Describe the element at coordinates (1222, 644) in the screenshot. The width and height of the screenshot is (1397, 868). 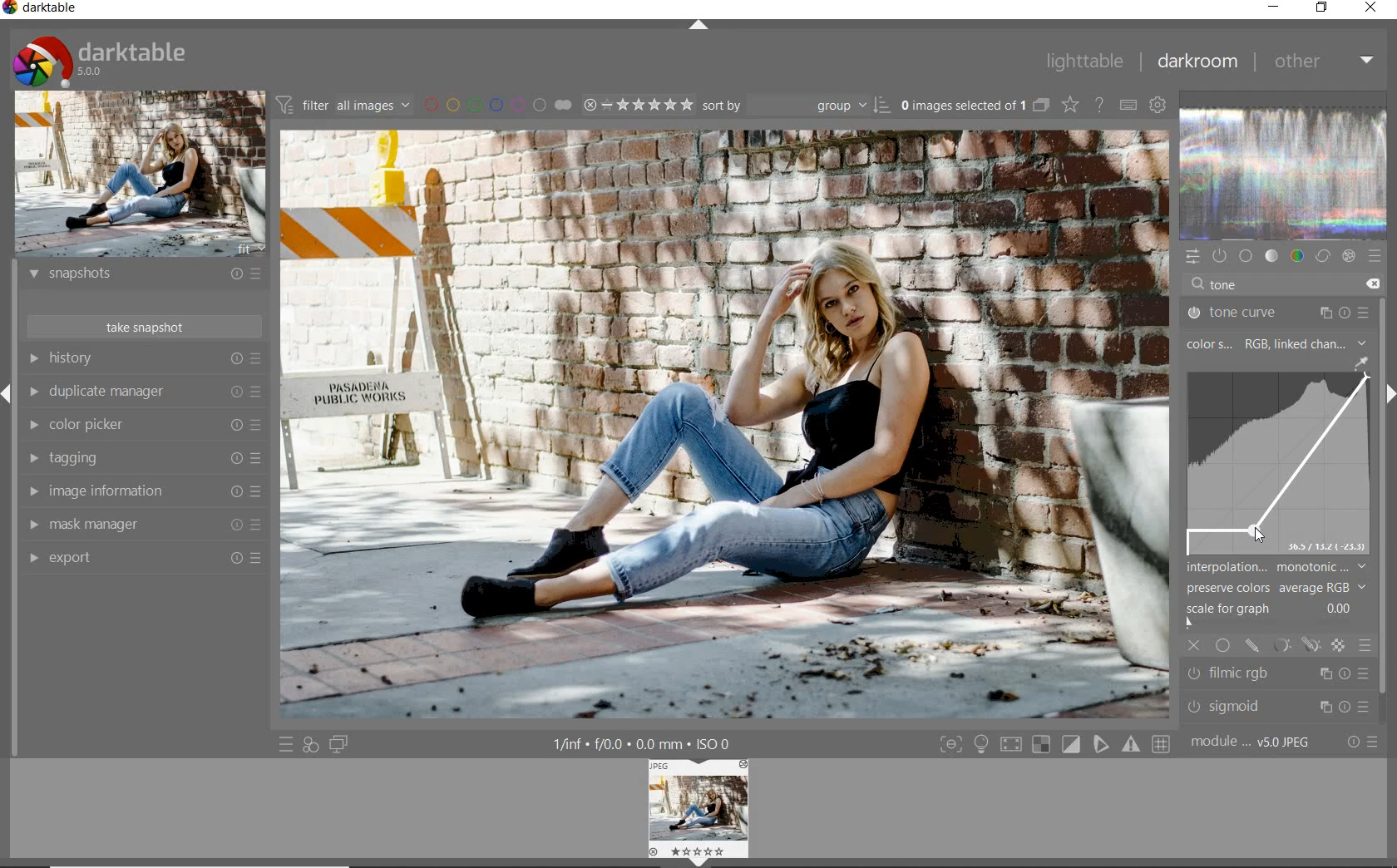
I see `uniformly` at that location.